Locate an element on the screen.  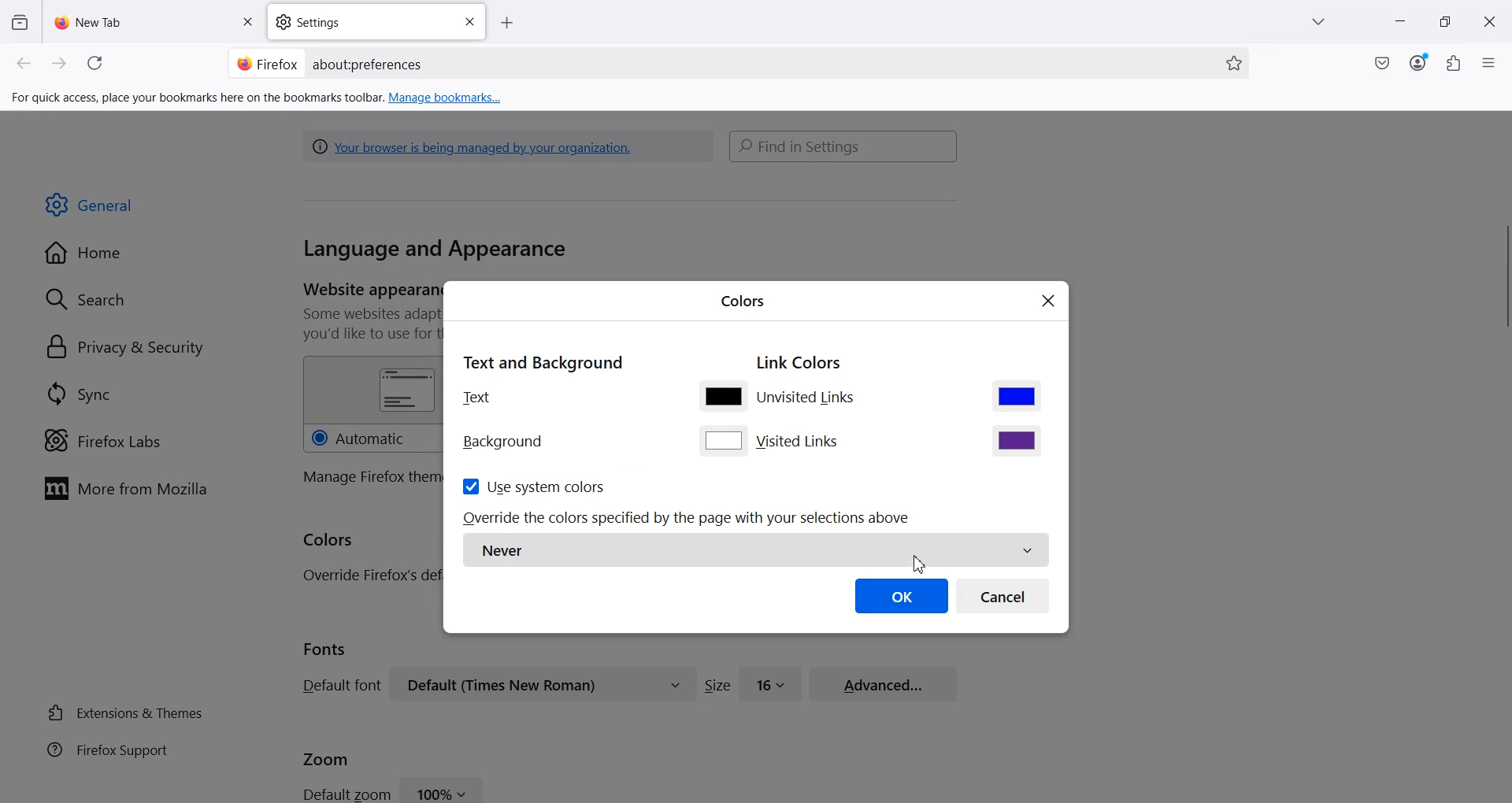
Link Colors is located at coordinates (799, 364).